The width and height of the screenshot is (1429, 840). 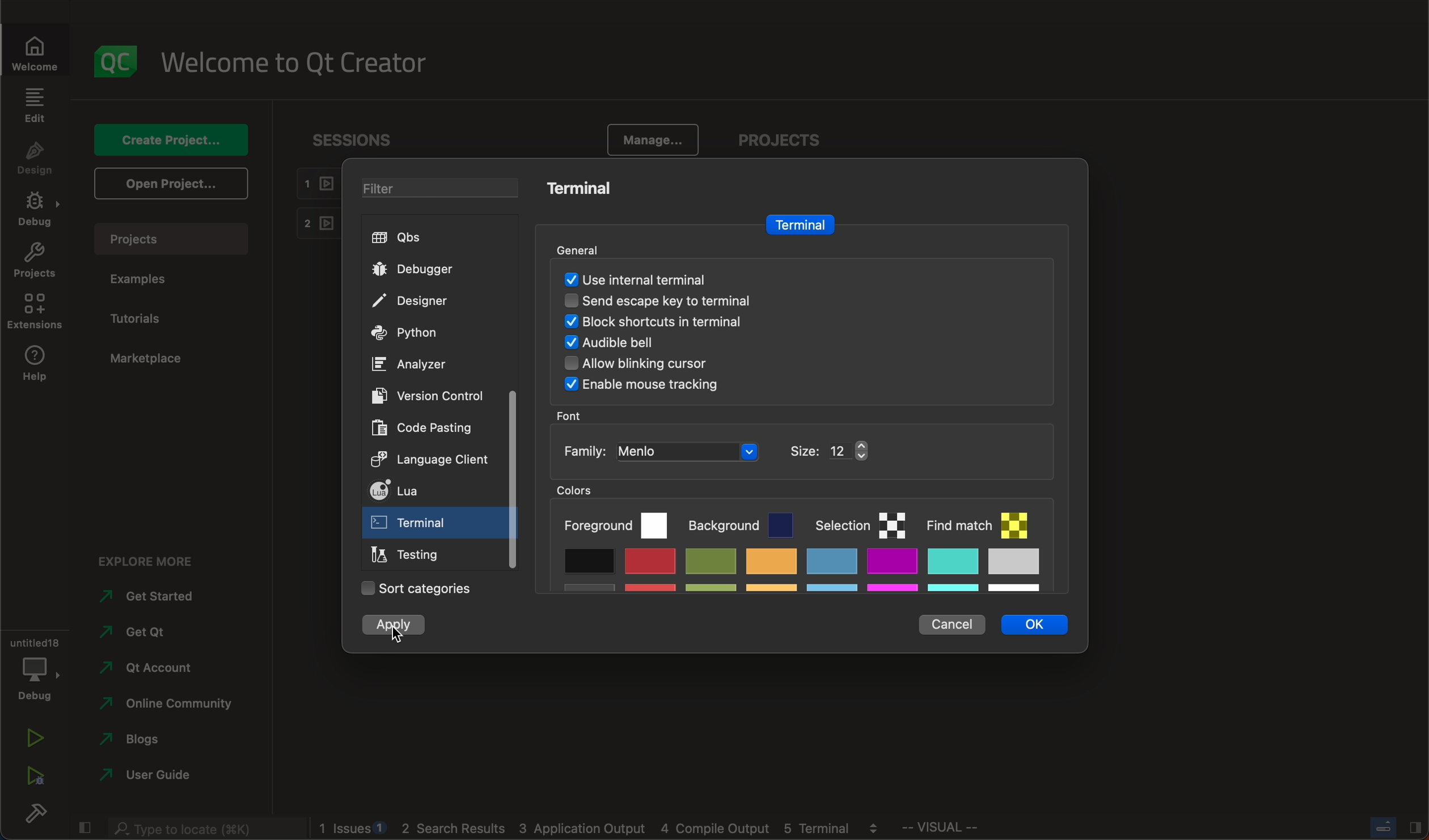 What do you see at coordinates (35, 669) in the screenshot?
I see `debug` at bounding box center [35, 669].